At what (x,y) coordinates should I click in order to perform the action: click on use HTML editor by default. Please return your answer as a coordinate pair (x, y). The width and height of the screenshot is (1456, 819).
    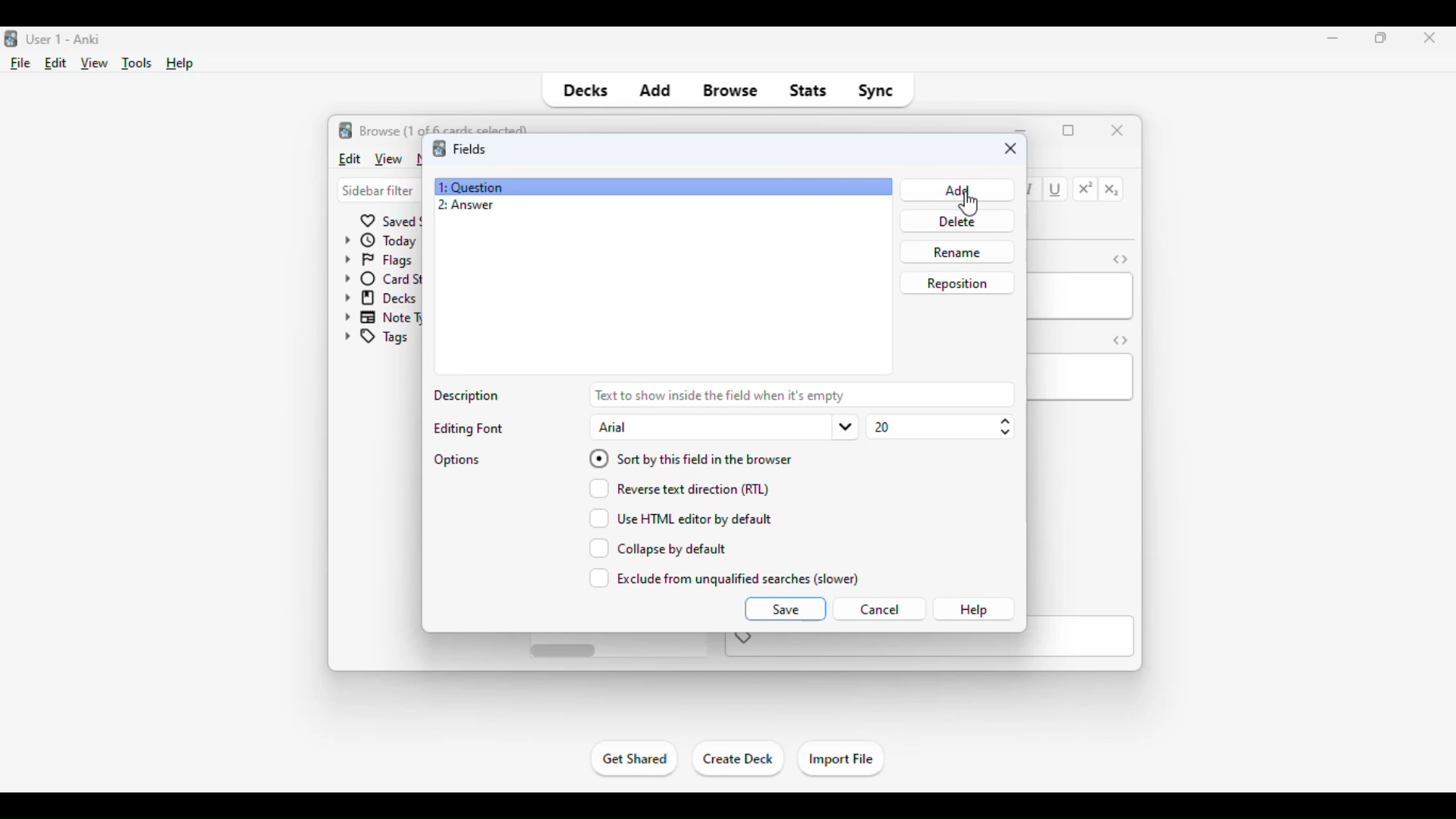
    Looking at the image, I should click on (681, 518).